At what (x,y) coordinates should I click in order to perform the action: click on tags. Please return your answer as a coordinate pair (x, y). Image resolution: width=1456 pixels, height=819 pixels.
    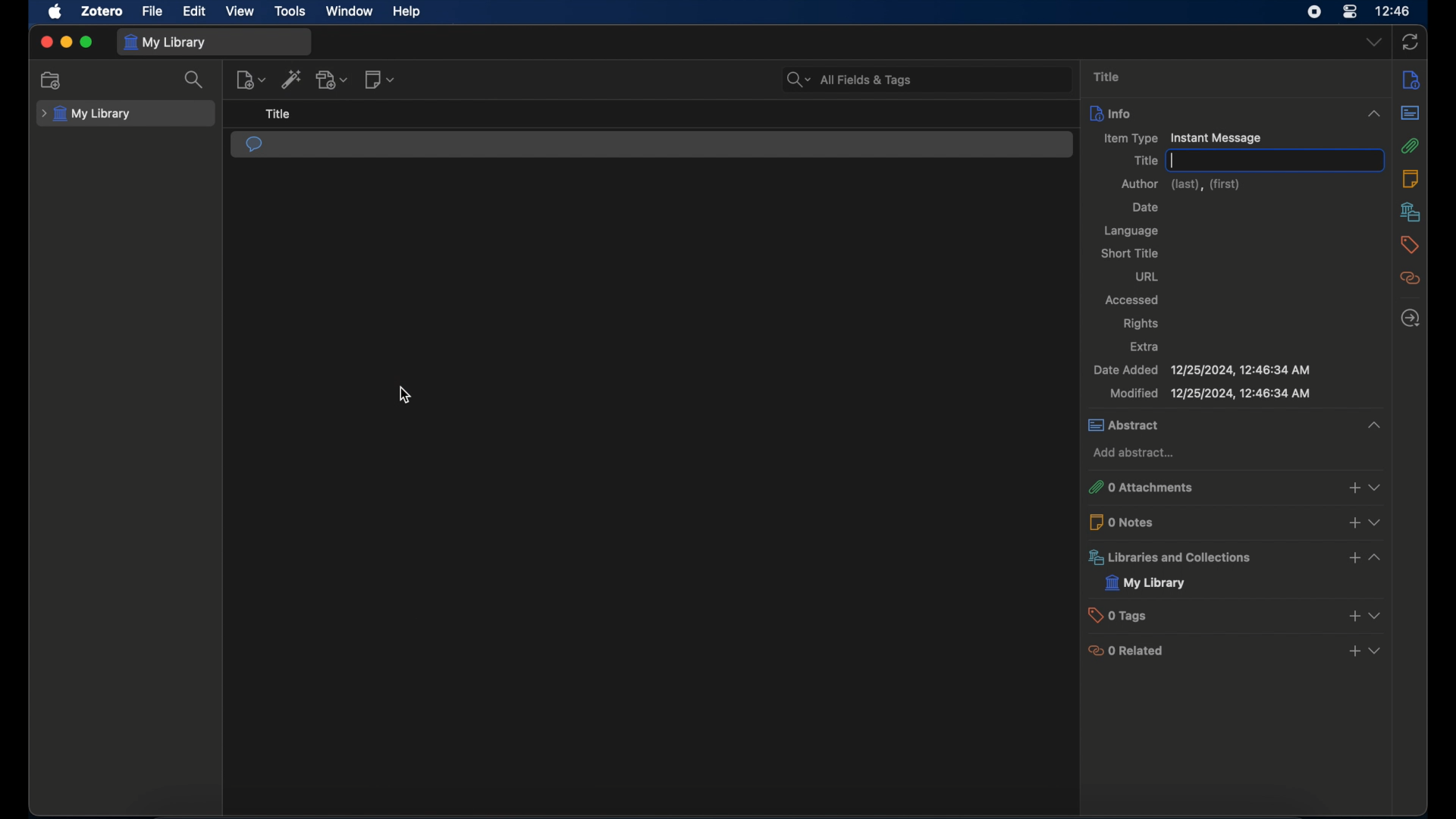
    Looking at the image, I should click on (1410, 245).